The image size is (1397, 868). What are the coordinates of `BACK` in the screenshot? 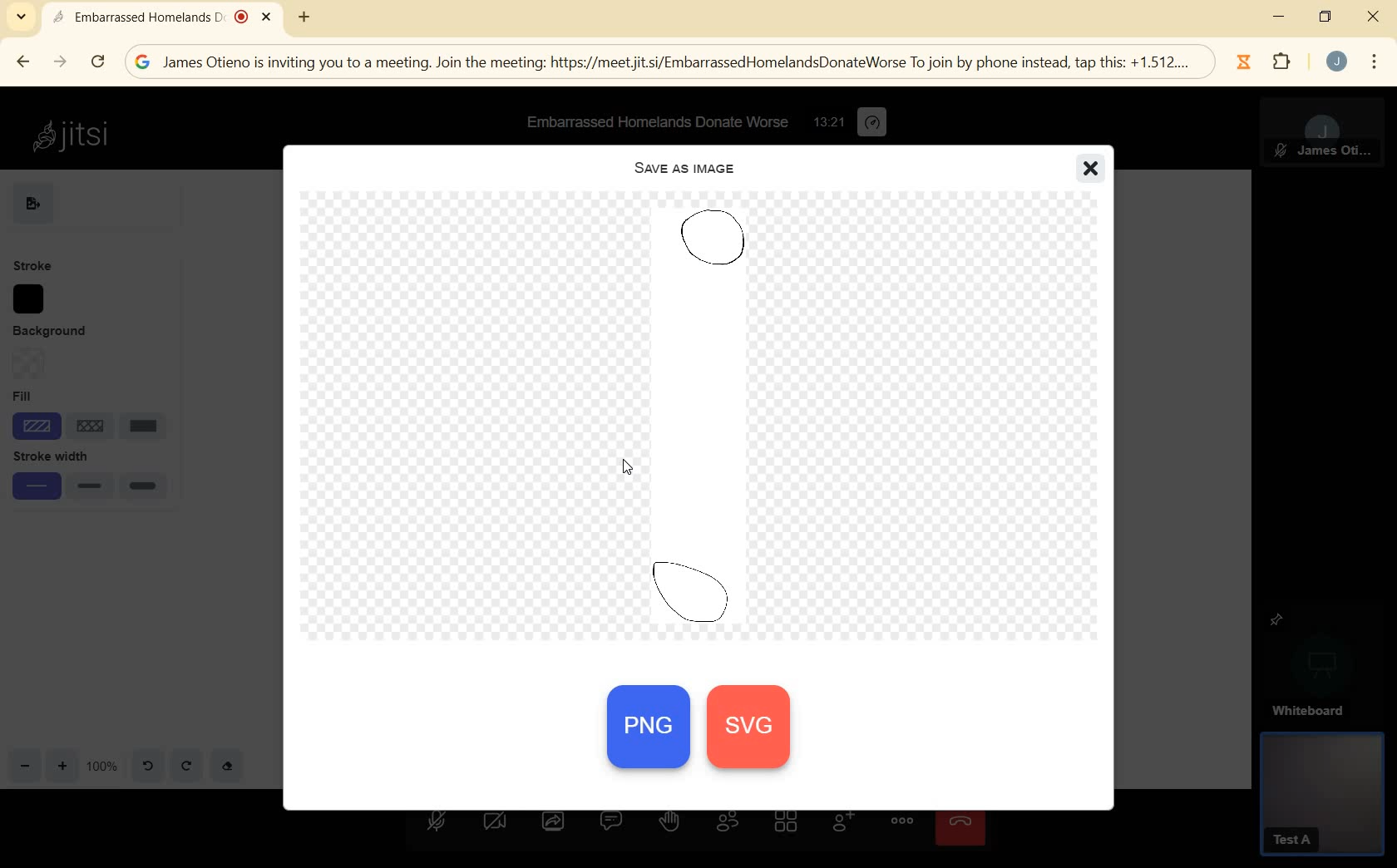 It's located at (25, 60).